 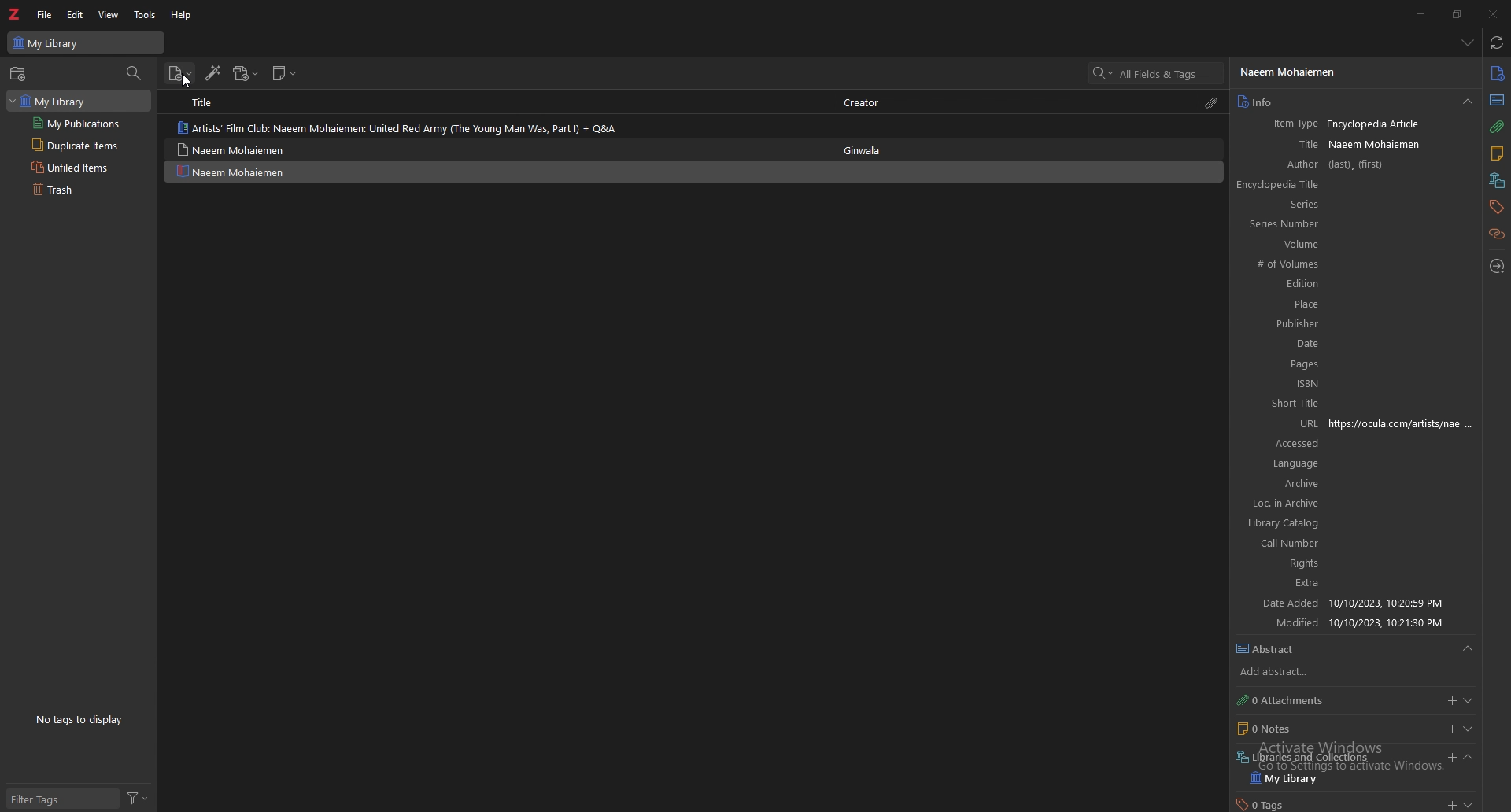 What do you see at coordinates (1450, 729) in the screenshot?
I see `add notes` at bounding box center [1450, 729].